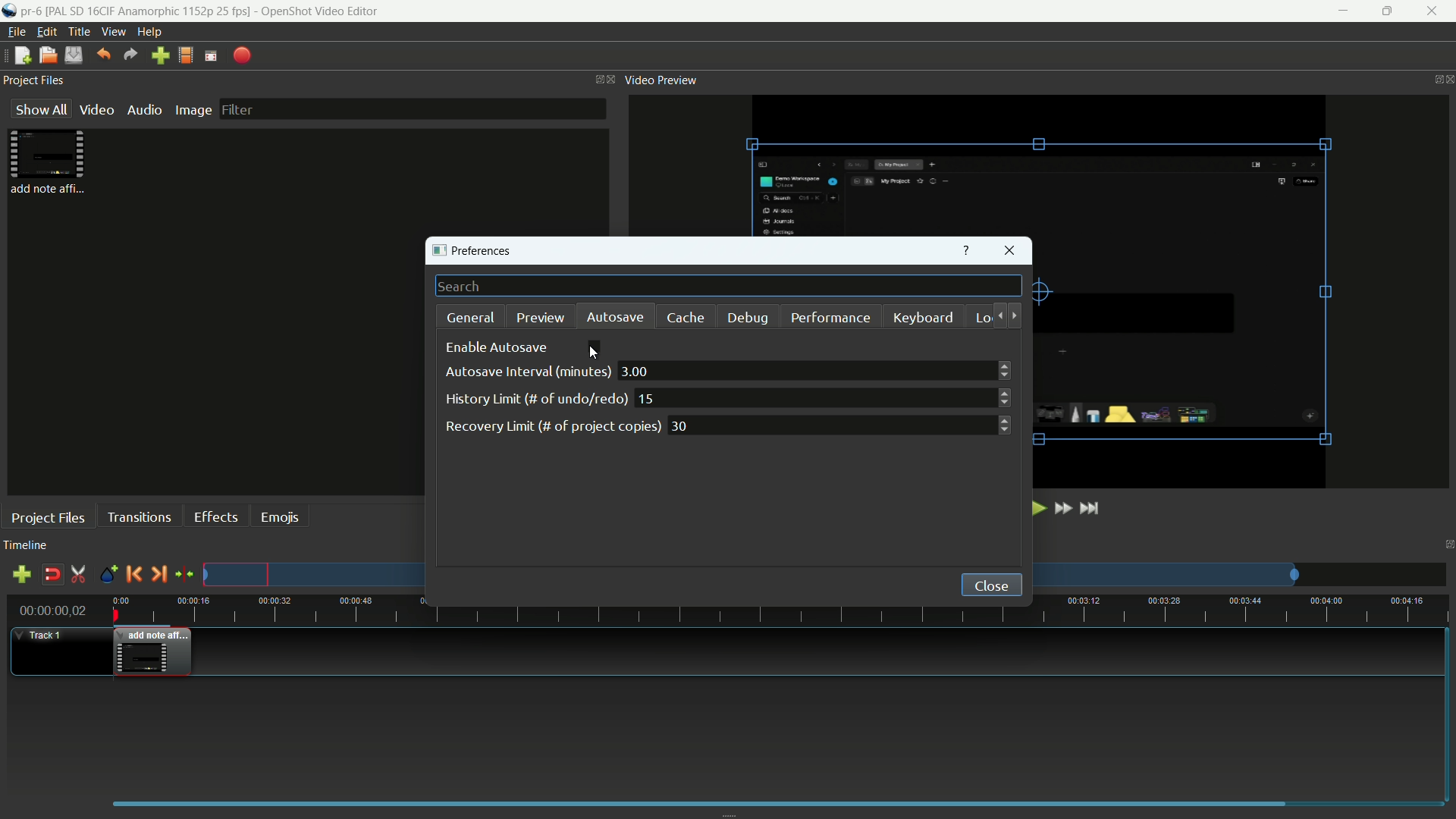 This screenshot has height=819, width=1456. I want to click on close app, so click(1433, 11).